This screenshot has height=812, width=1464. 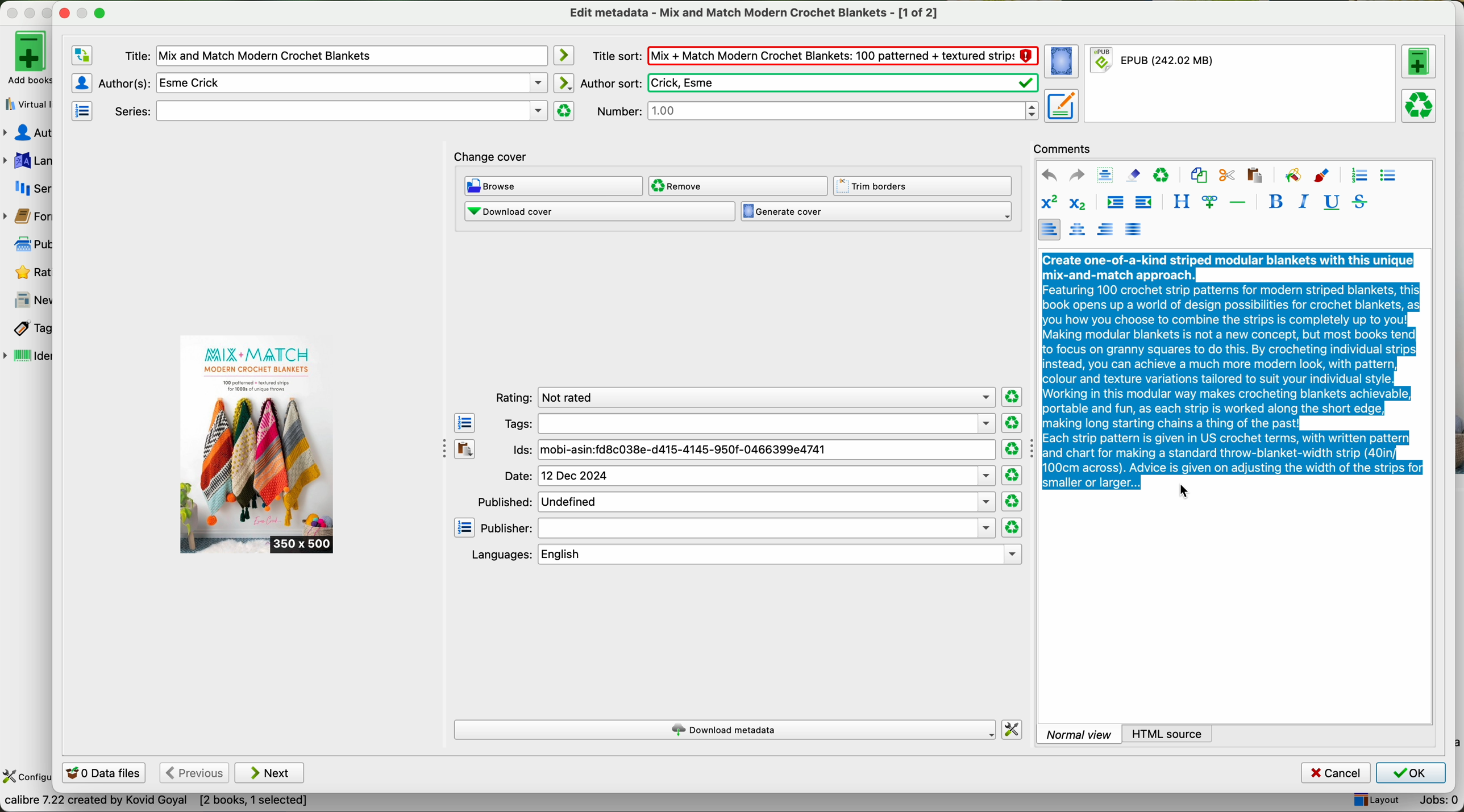 I want to click on set the manage authors editor, so click(x=81, y=83).